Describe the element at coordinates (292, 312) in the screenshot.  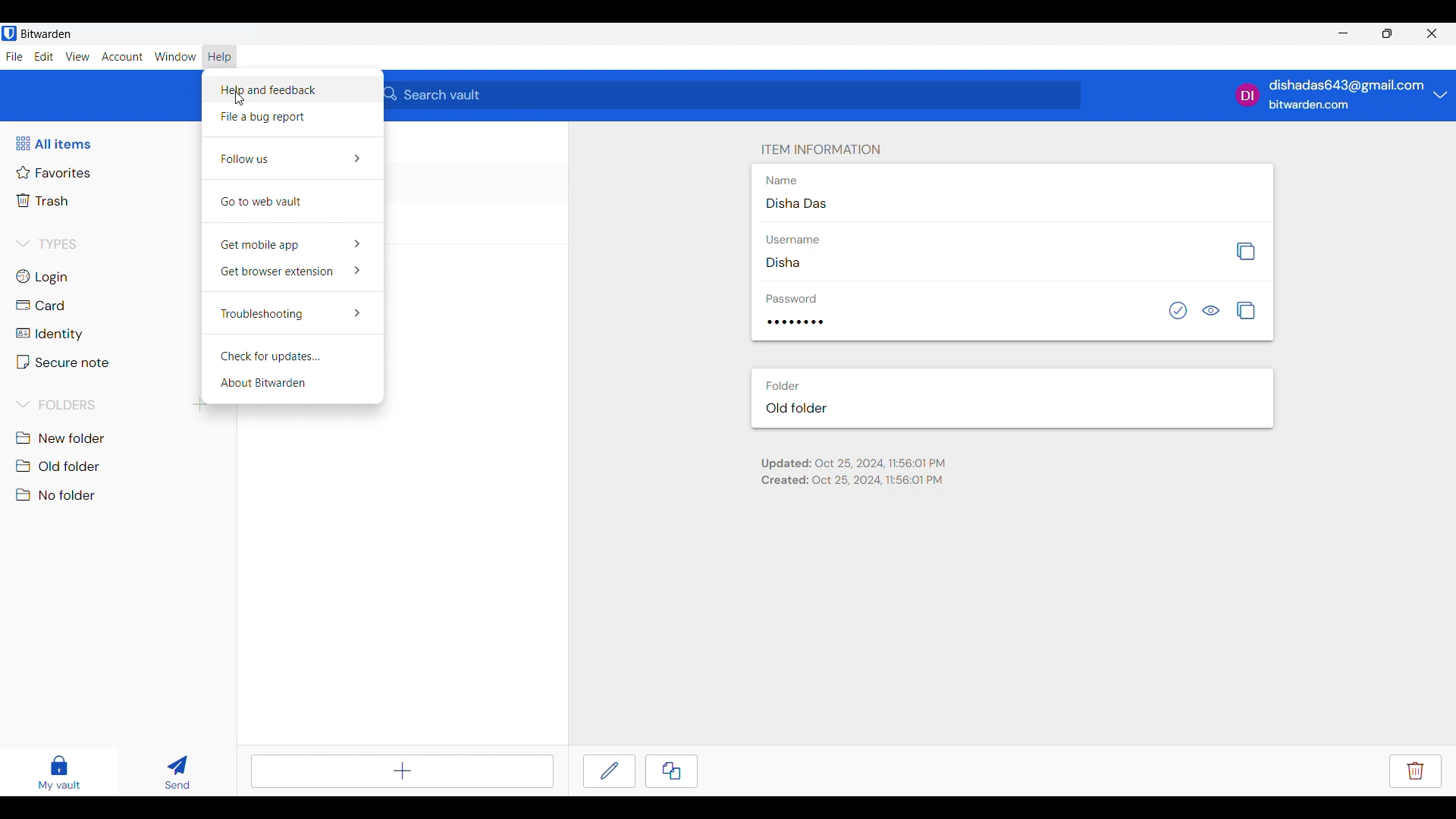
I see `Troubleshooting options` at that location.